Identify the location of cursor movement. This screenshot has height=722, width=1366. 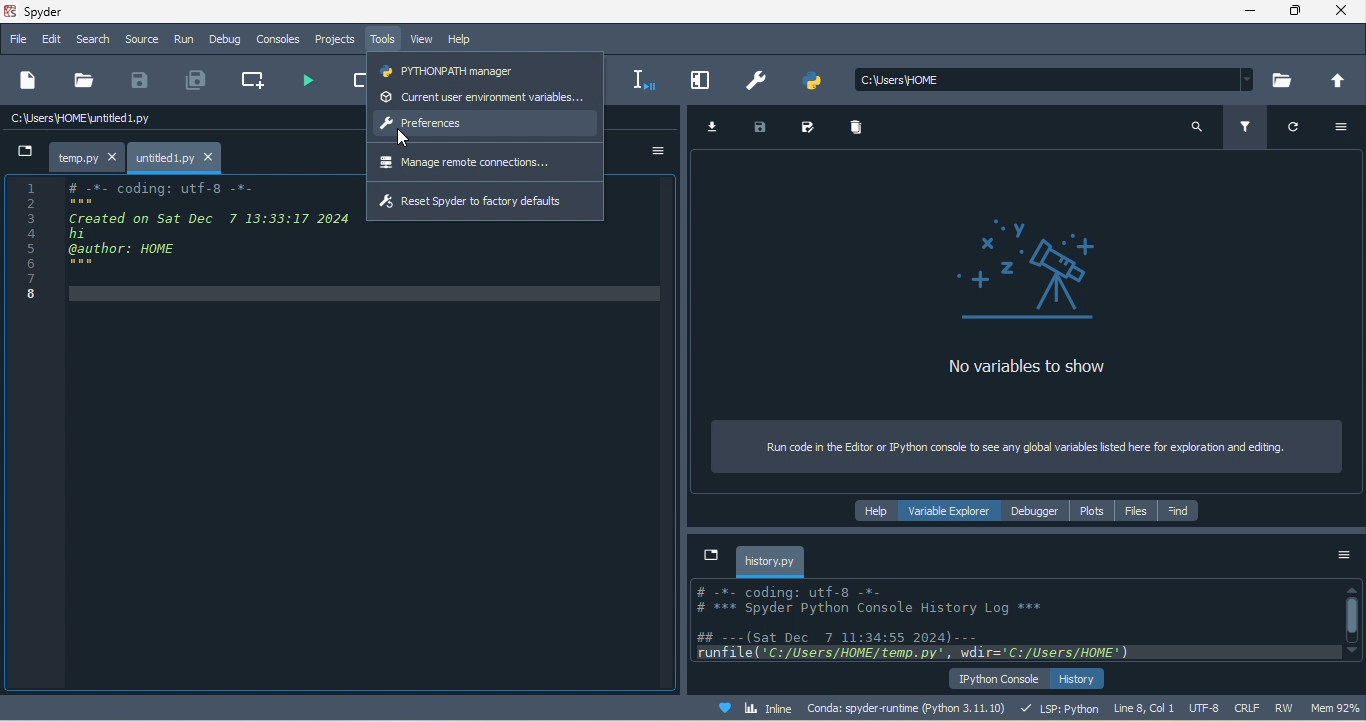
(401, 139).